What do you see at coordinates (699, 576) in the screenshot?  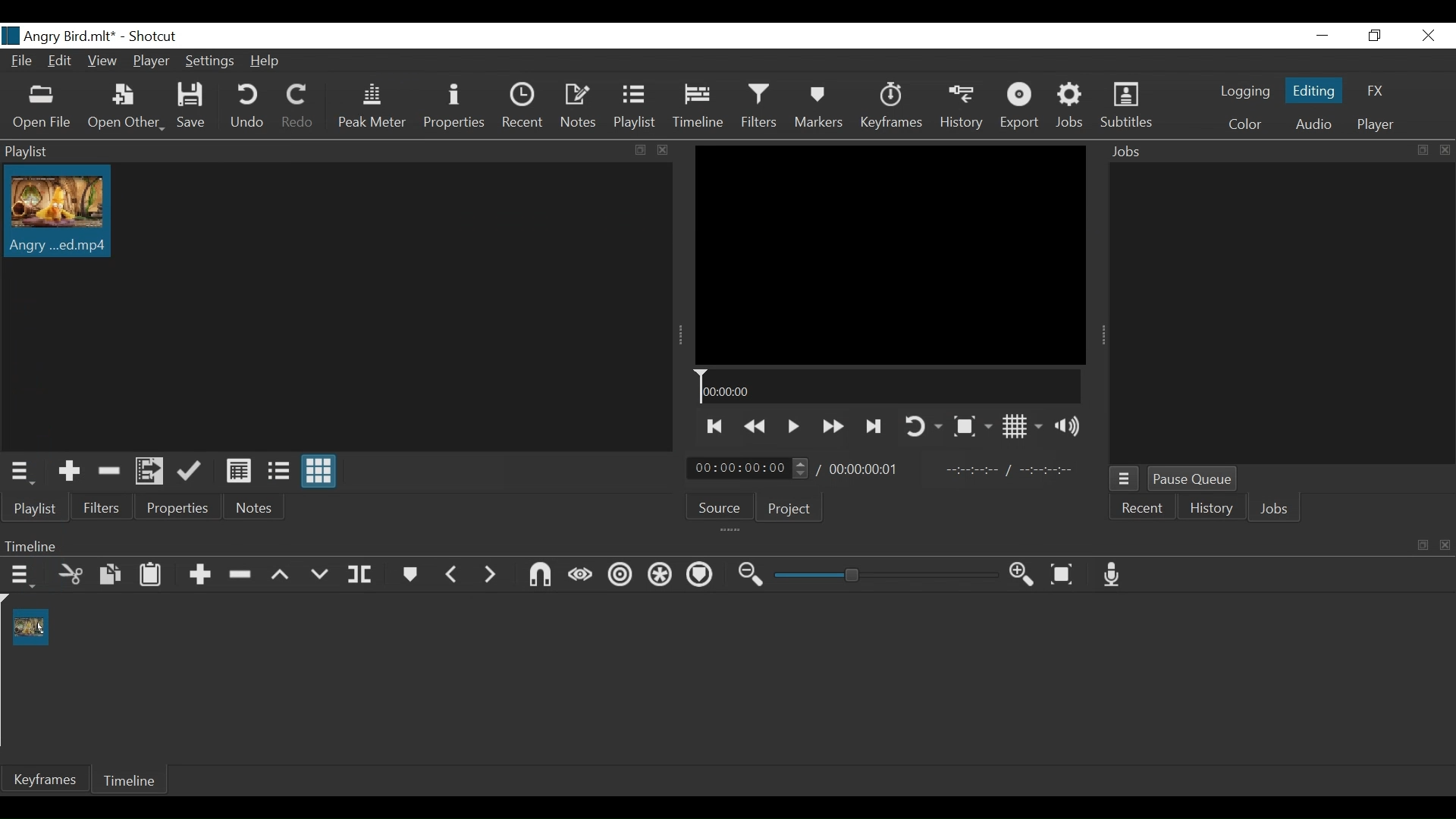 I see `Ripple markers` at bounding box center [699, 576].